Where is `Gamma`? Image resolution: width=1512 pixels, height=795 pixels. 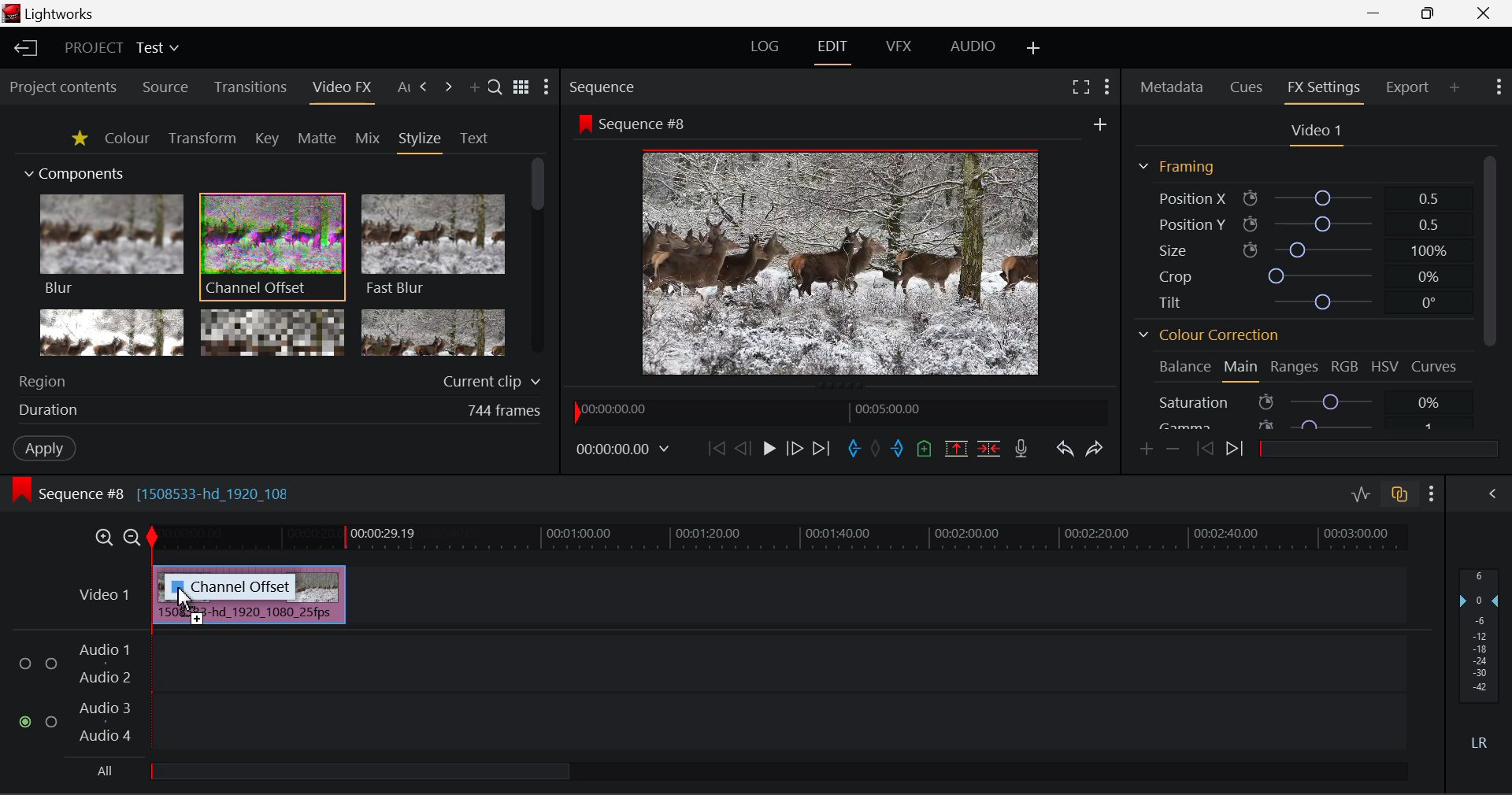
Gamma is located at coordinates (1299, 425).